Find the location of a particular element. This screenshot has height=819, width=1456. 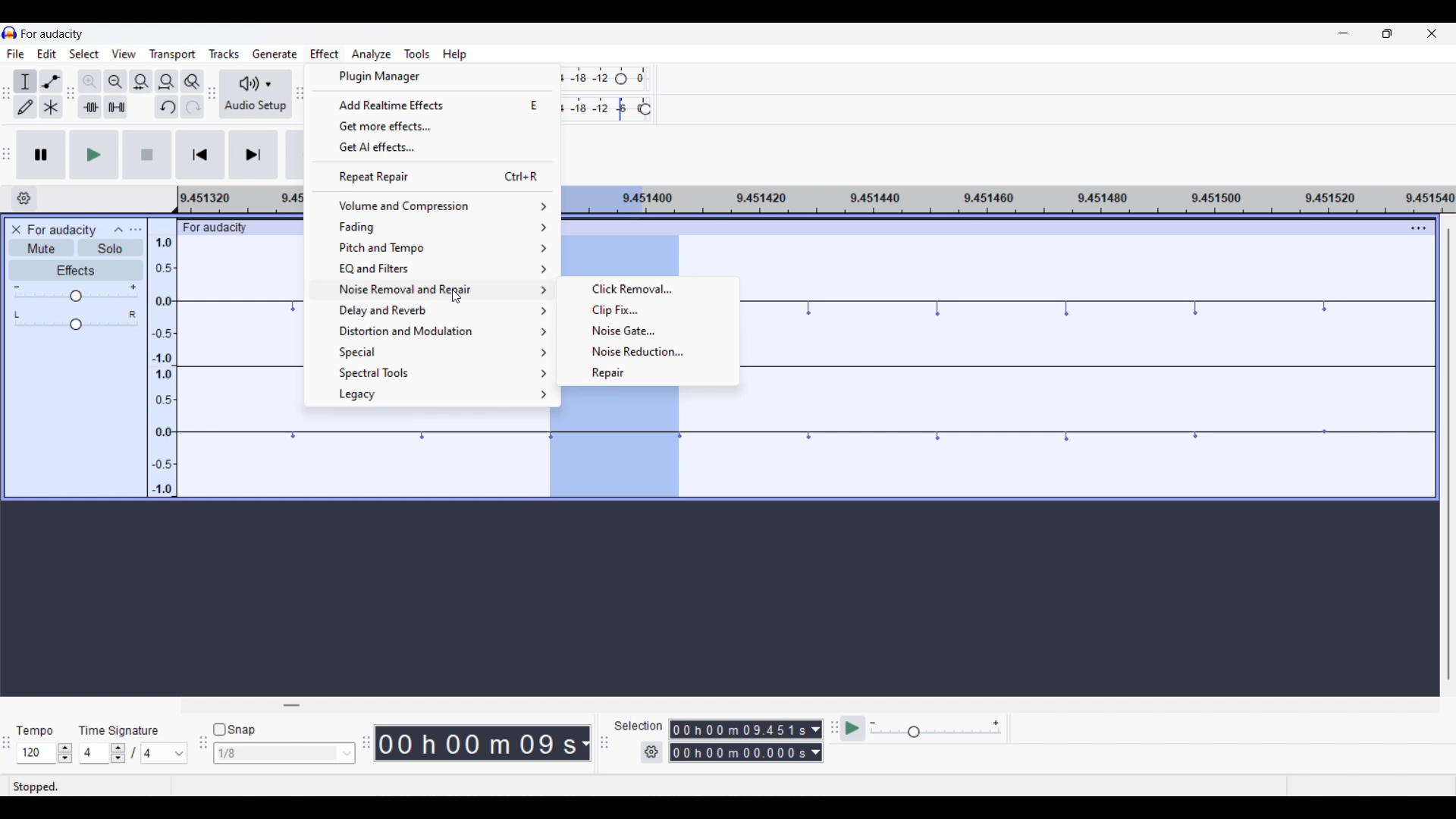

Mute is located at coordinates (42, 248).